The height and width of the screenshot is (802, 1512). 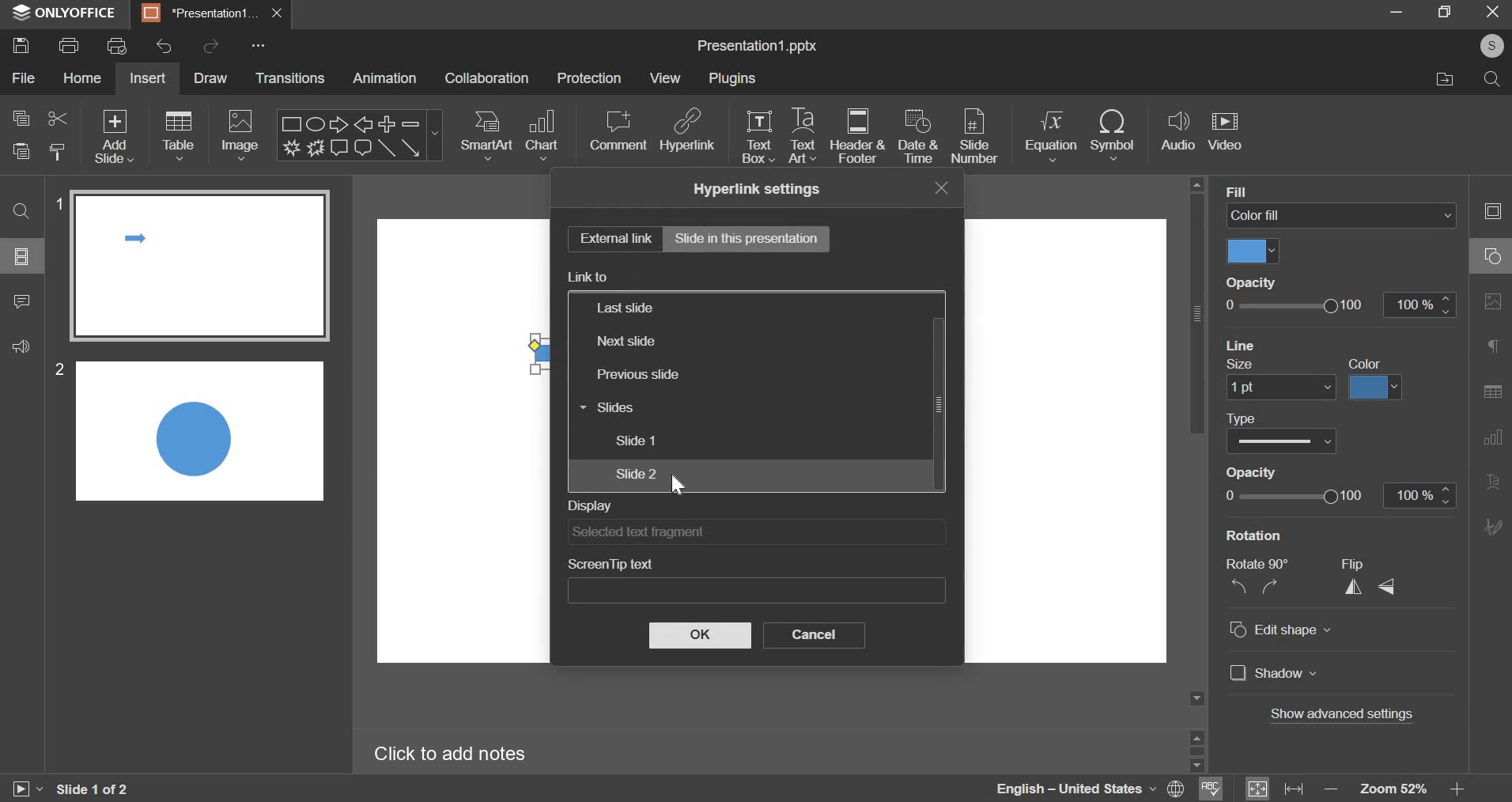 I want to click on presentation name, so click(x=759, y=46).